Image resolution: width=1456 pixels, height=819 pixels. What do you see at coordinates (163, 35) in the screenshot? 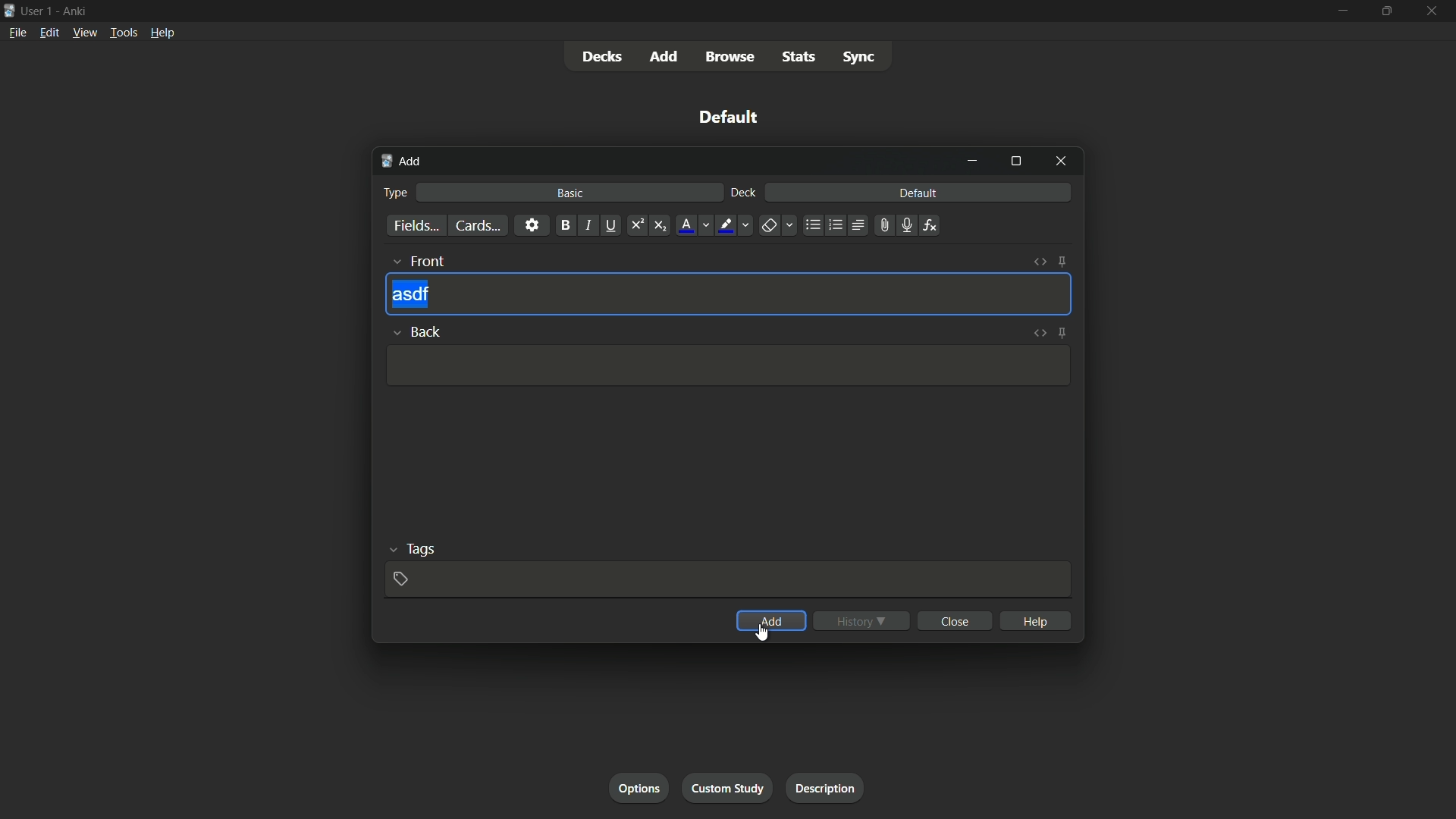
I see `help` at bounding box center [163, 35].